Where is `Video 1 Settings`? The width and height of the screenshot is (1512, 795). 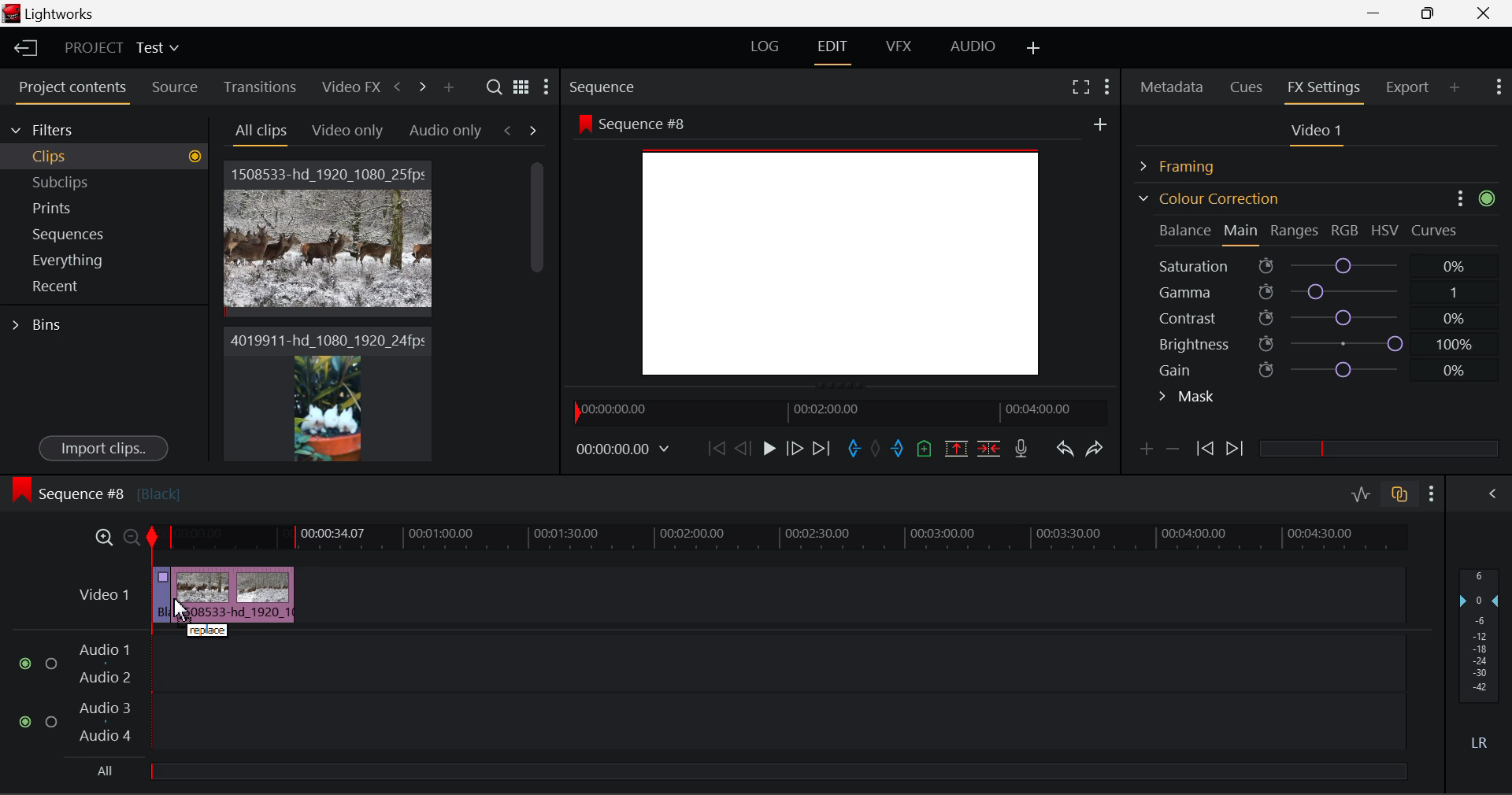
Video 1 Settings is located at coordinates (1319, 134).